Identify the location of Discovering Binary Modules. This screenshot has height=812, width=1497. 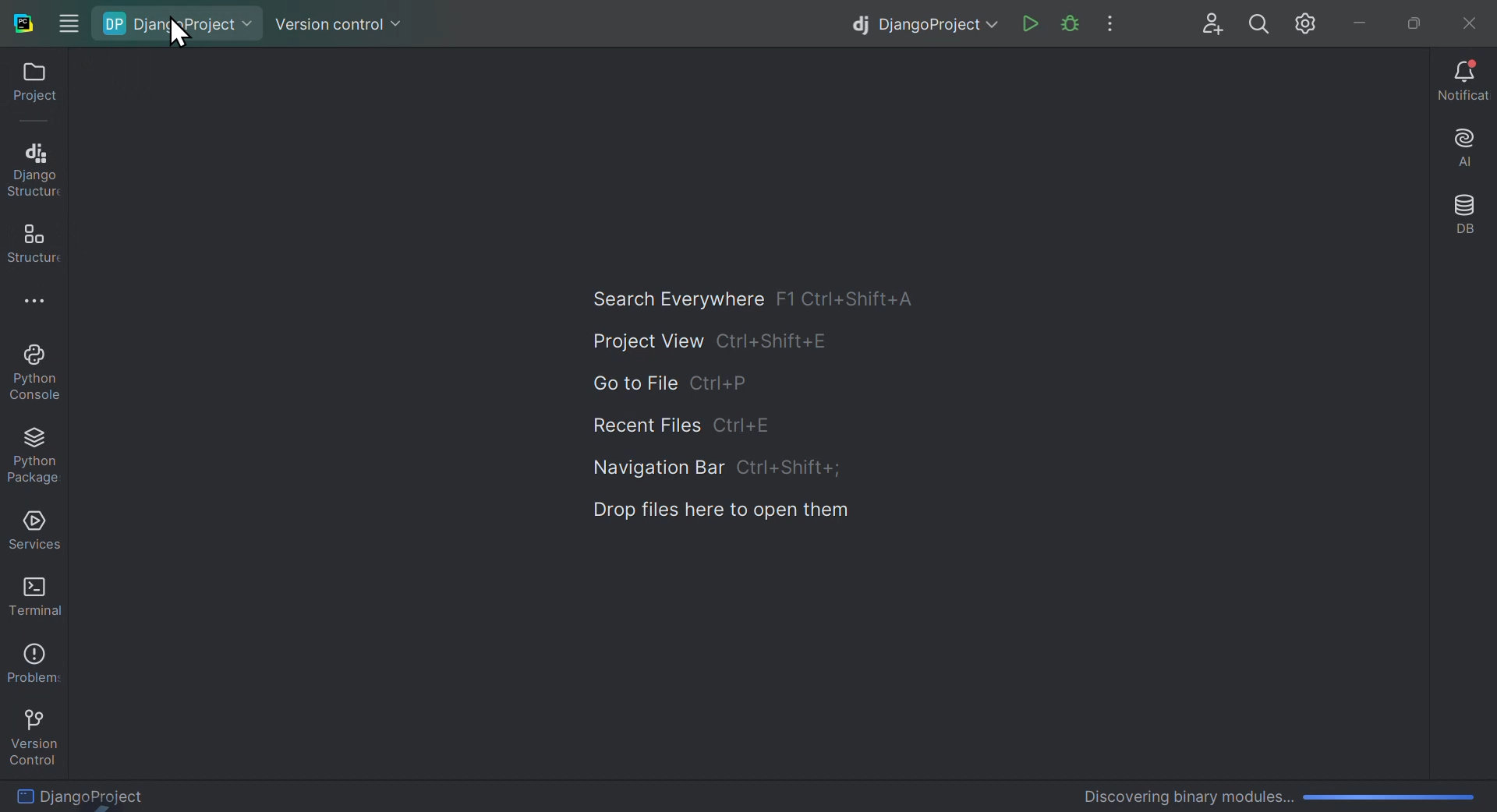
(1272, 793).